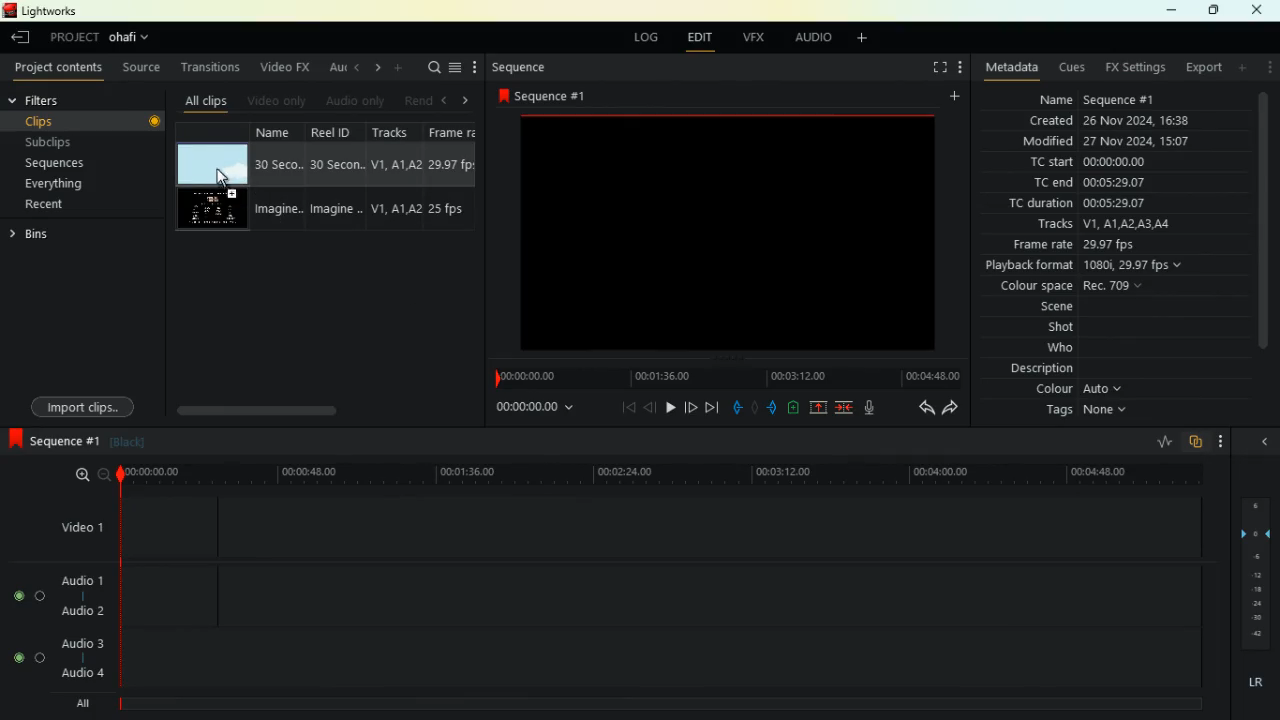  I want to click on merge, so click(846, 408).